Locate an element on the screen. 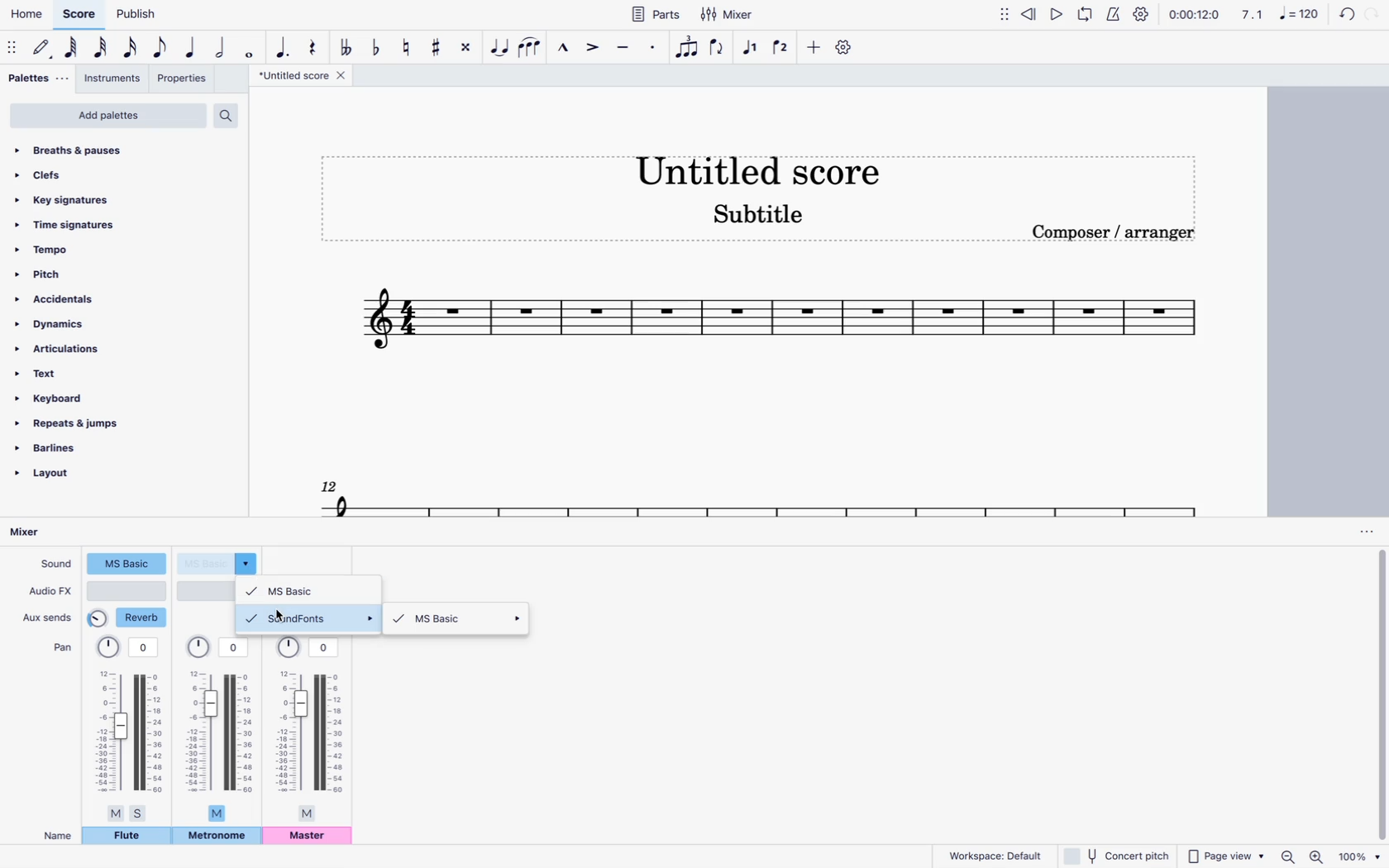 The height and width of the screenshot is (868, 1389). settings is located at coordinates (1140, 13).